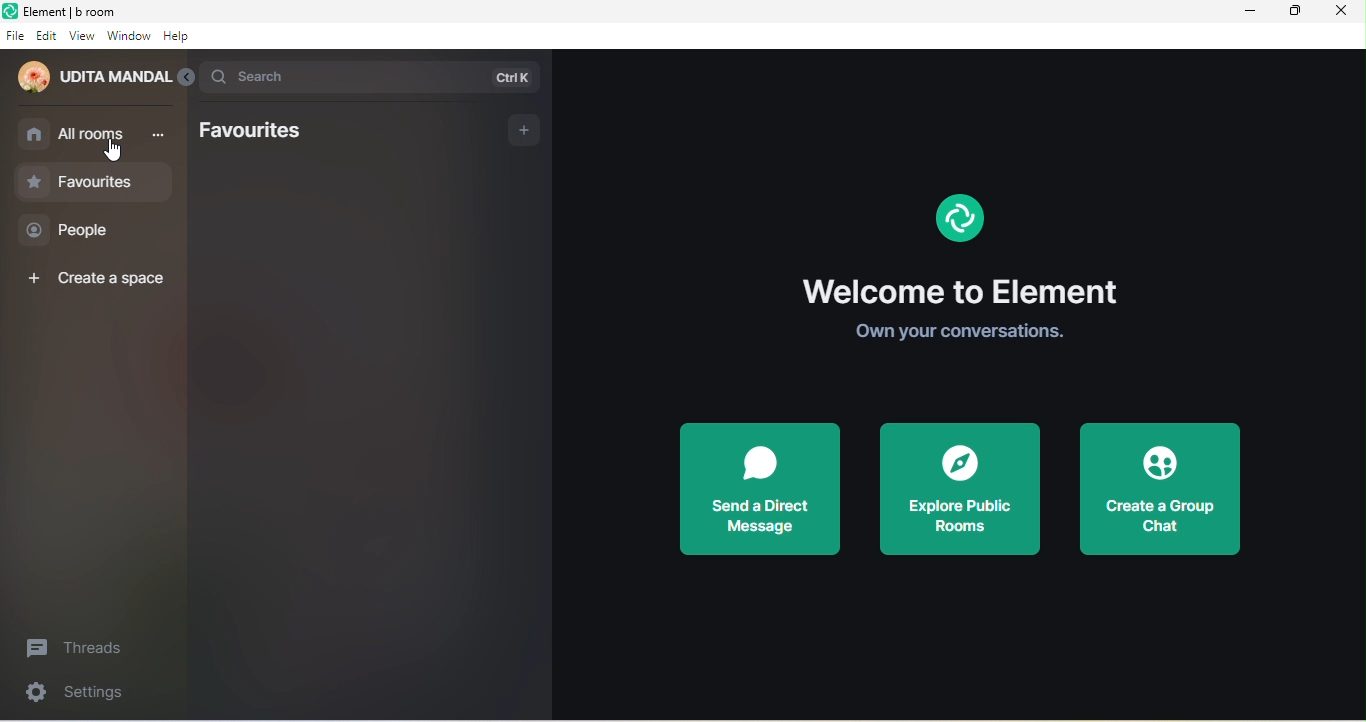  I want to click on close, so click(1347, 15).